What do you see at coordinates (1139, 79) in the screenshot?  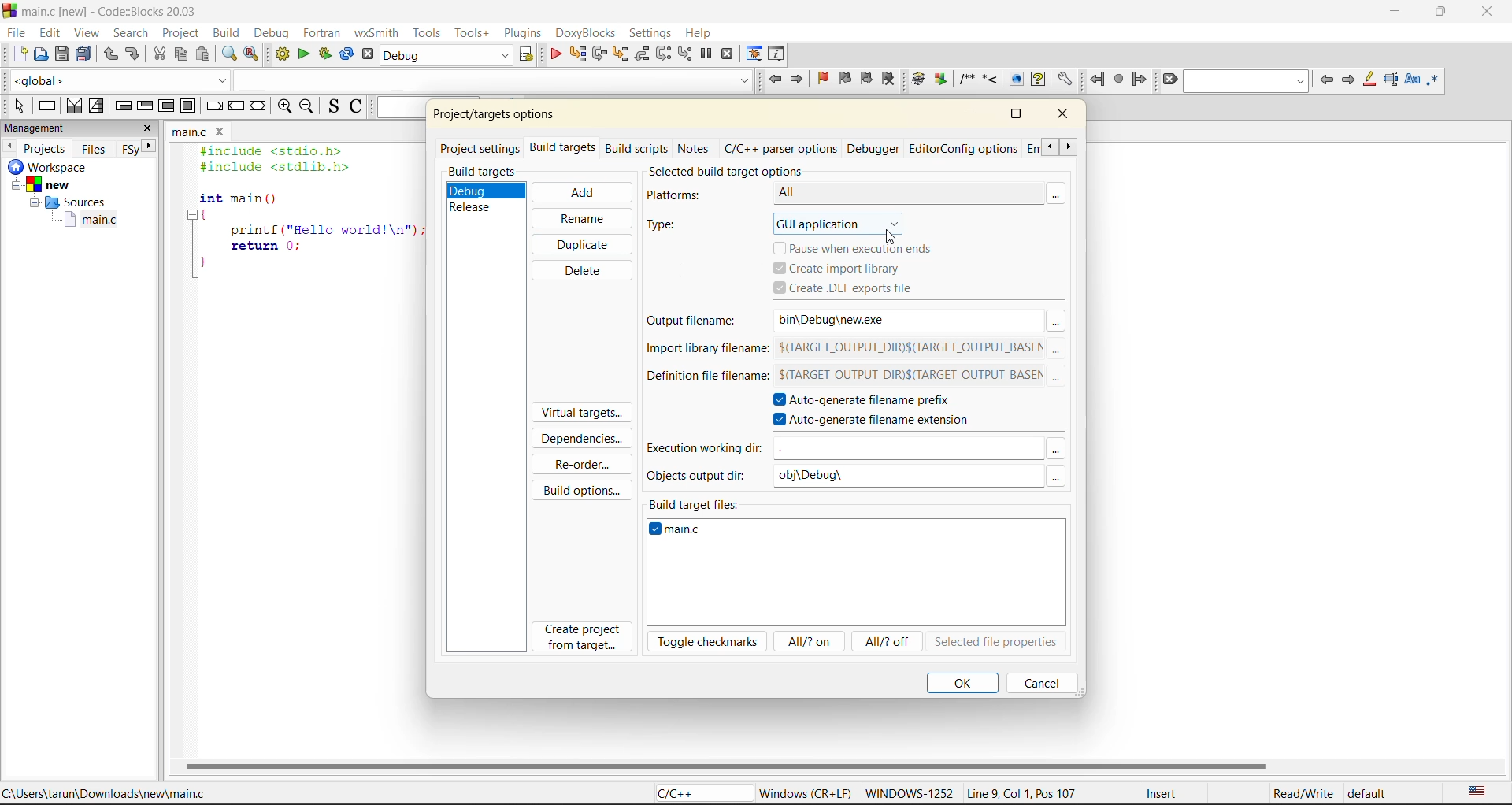 I see `jump forward` at bounding box center [1139, 79].